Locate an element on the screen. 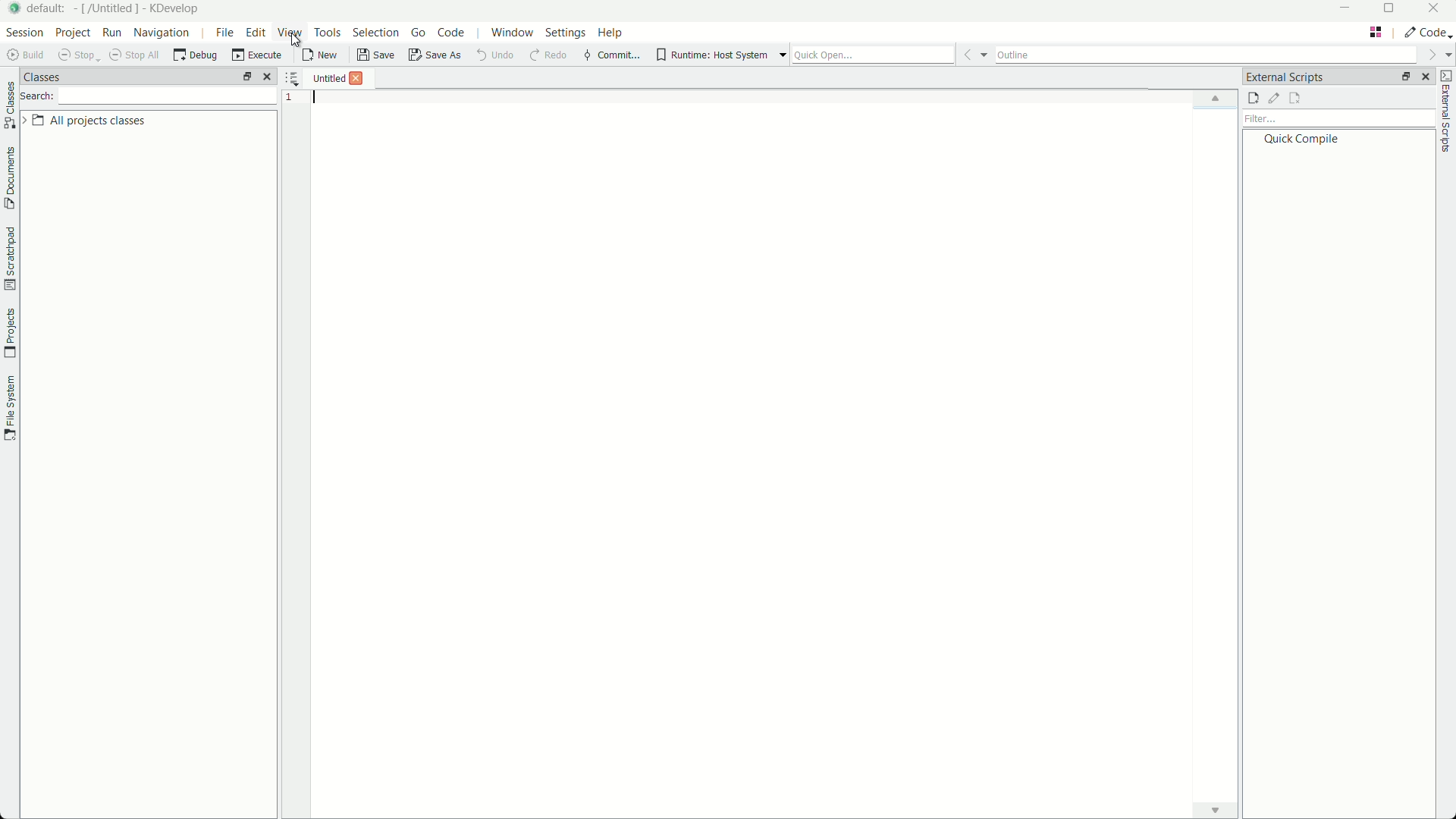 This screenshot has width=1456, height=819. edit is located at coordinates (256, 33).